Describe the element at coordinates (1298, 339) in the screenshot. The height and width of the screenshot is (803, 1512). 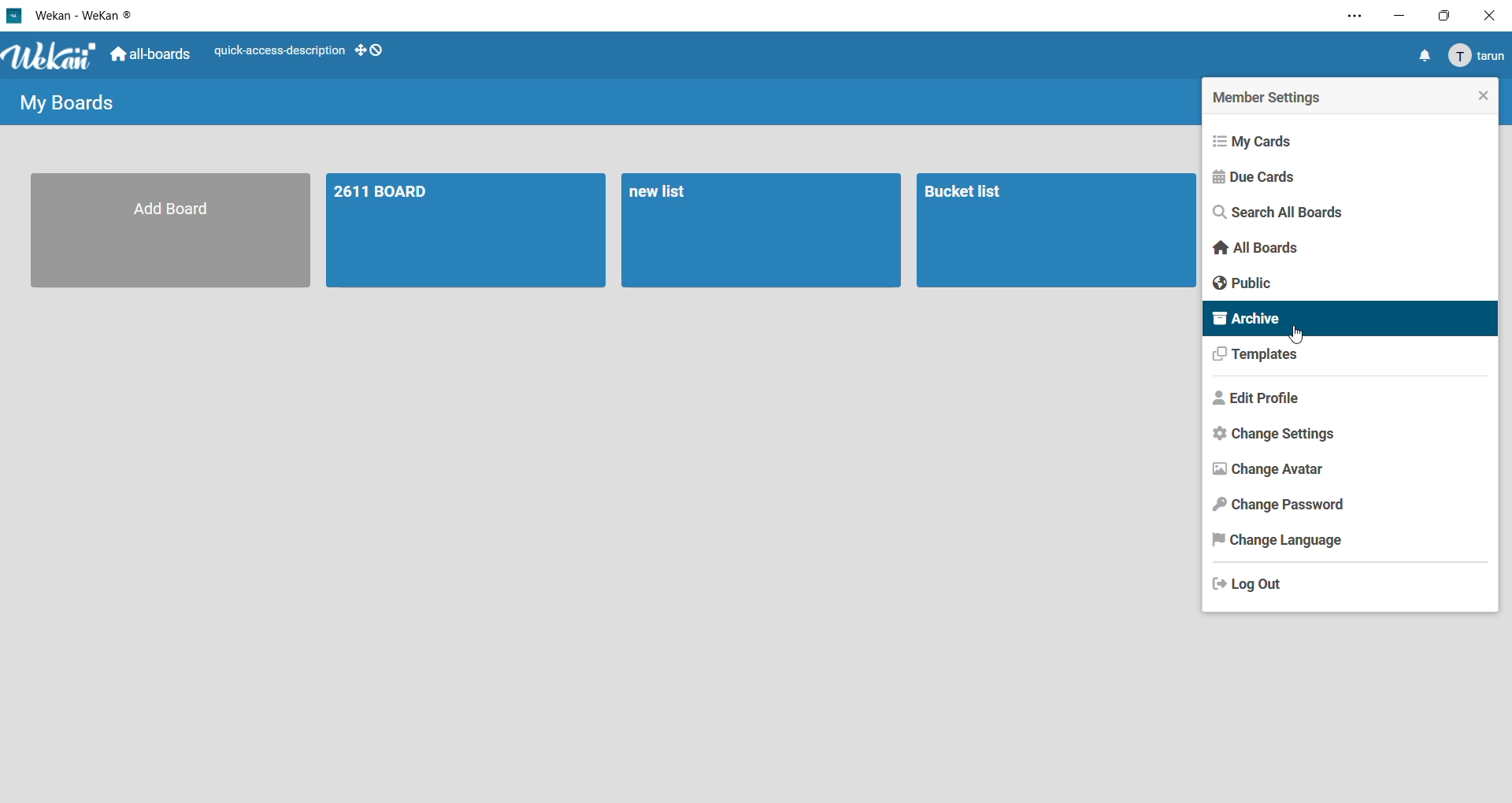
I see `cursor` at that location.